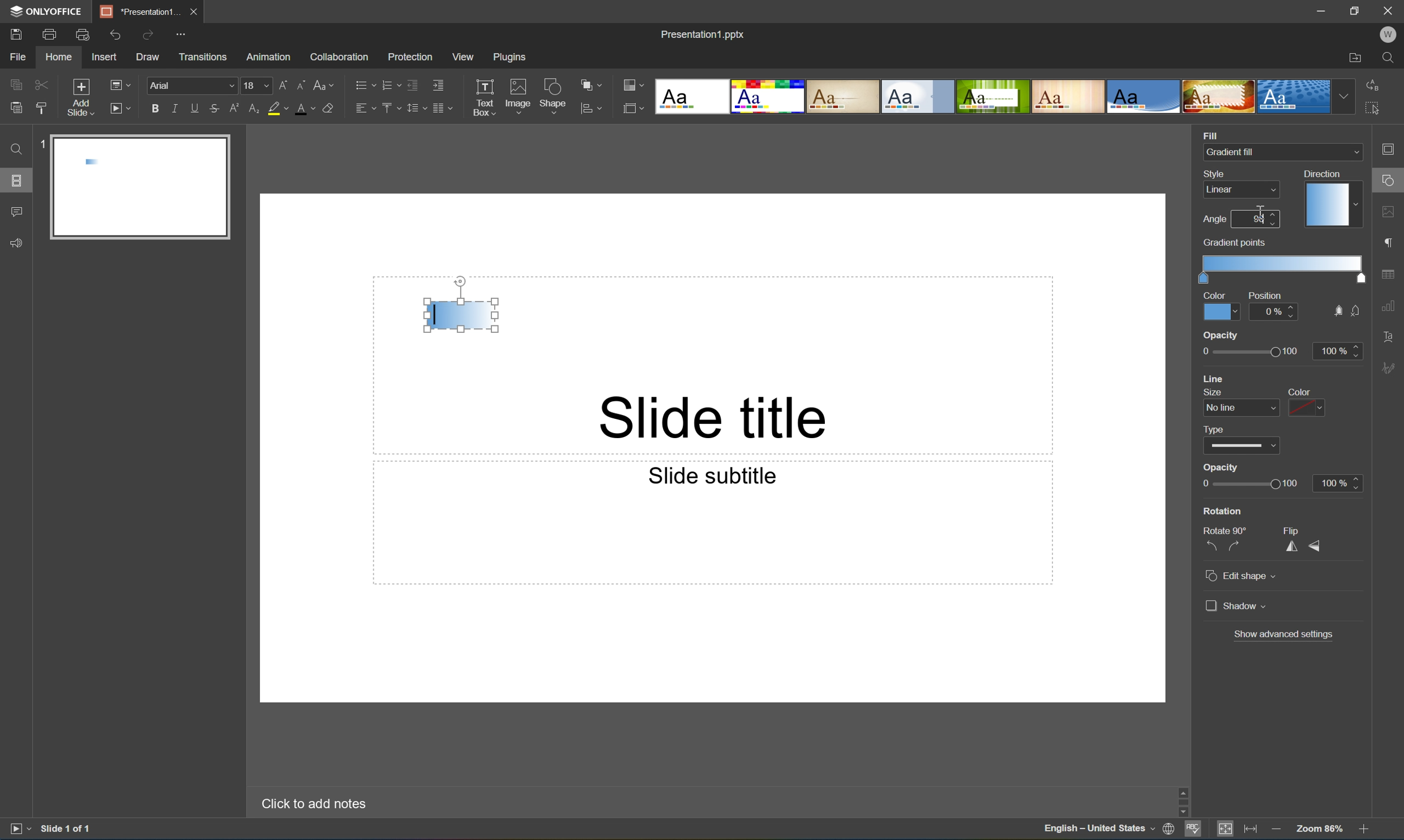  What do you see at coordinates (1345, 96) in the screenshot?
I see `Drop Down` at bounding box center [1345, 96].